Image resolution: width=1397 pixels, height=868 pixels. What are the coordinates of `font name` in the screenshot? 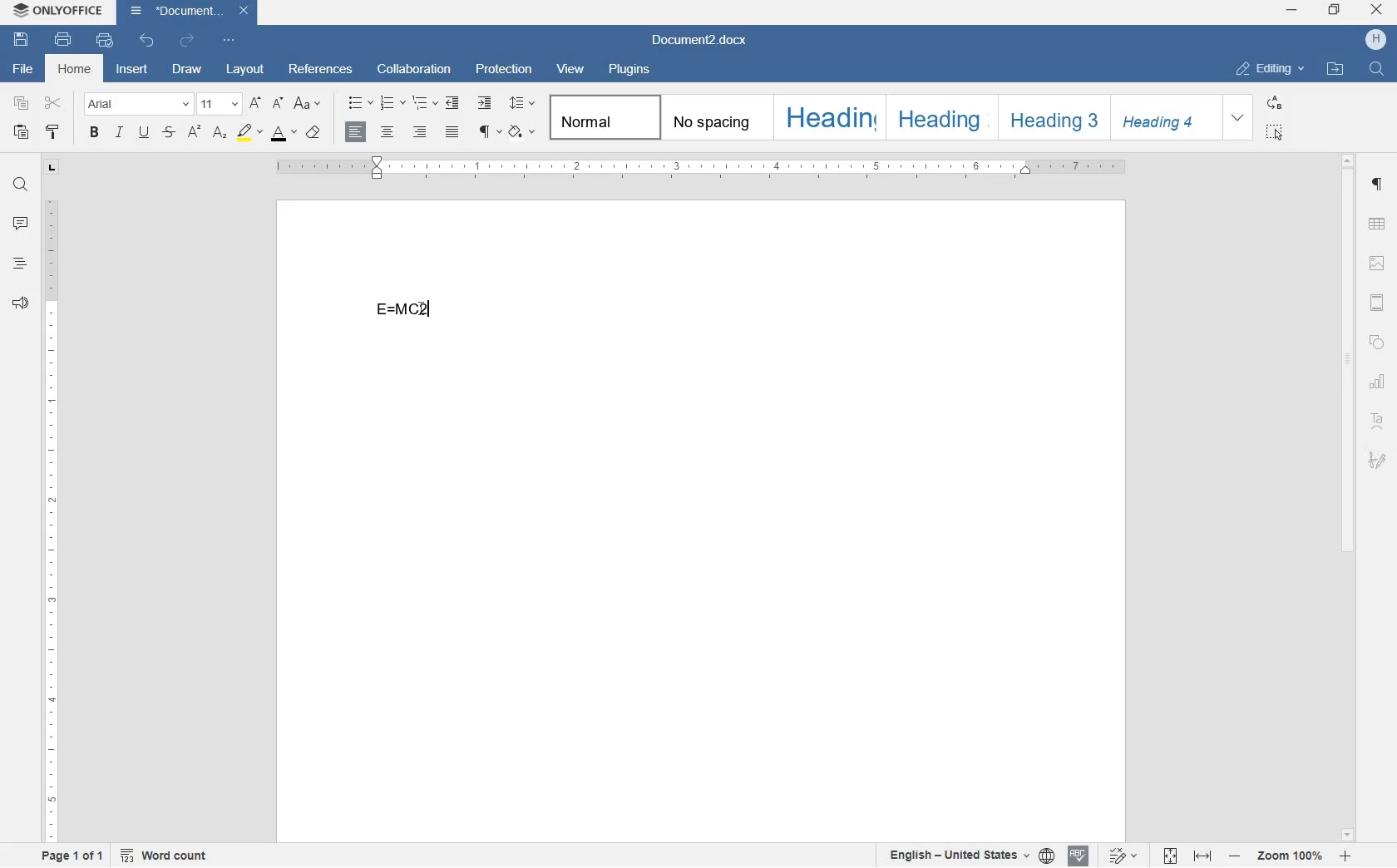 It's located at (138, 105).